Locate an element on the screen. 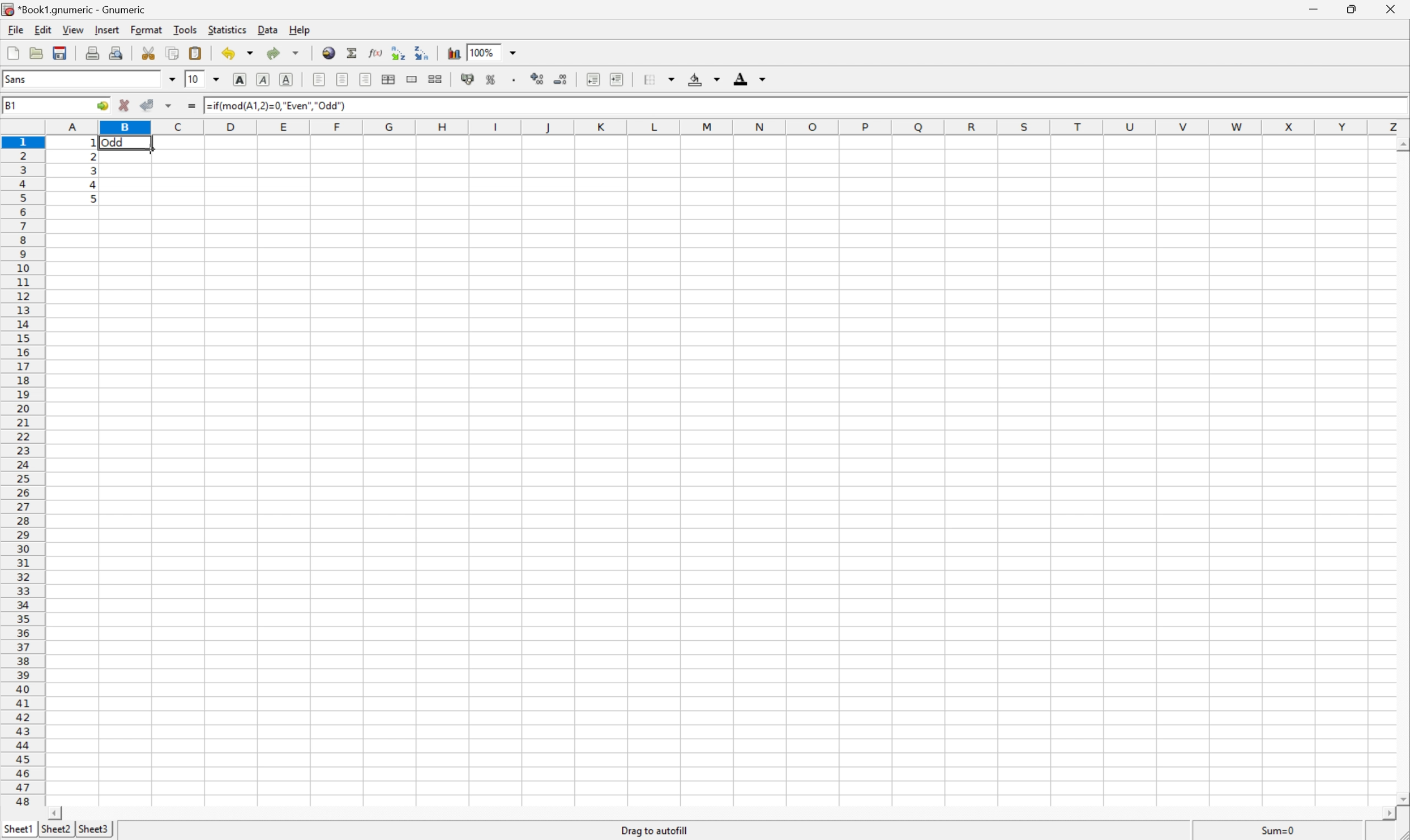 The height and width of the screenshot is (840, 1410). Sort the selected region in ascending order based on the first column selected is located at coordinates (398, 53).